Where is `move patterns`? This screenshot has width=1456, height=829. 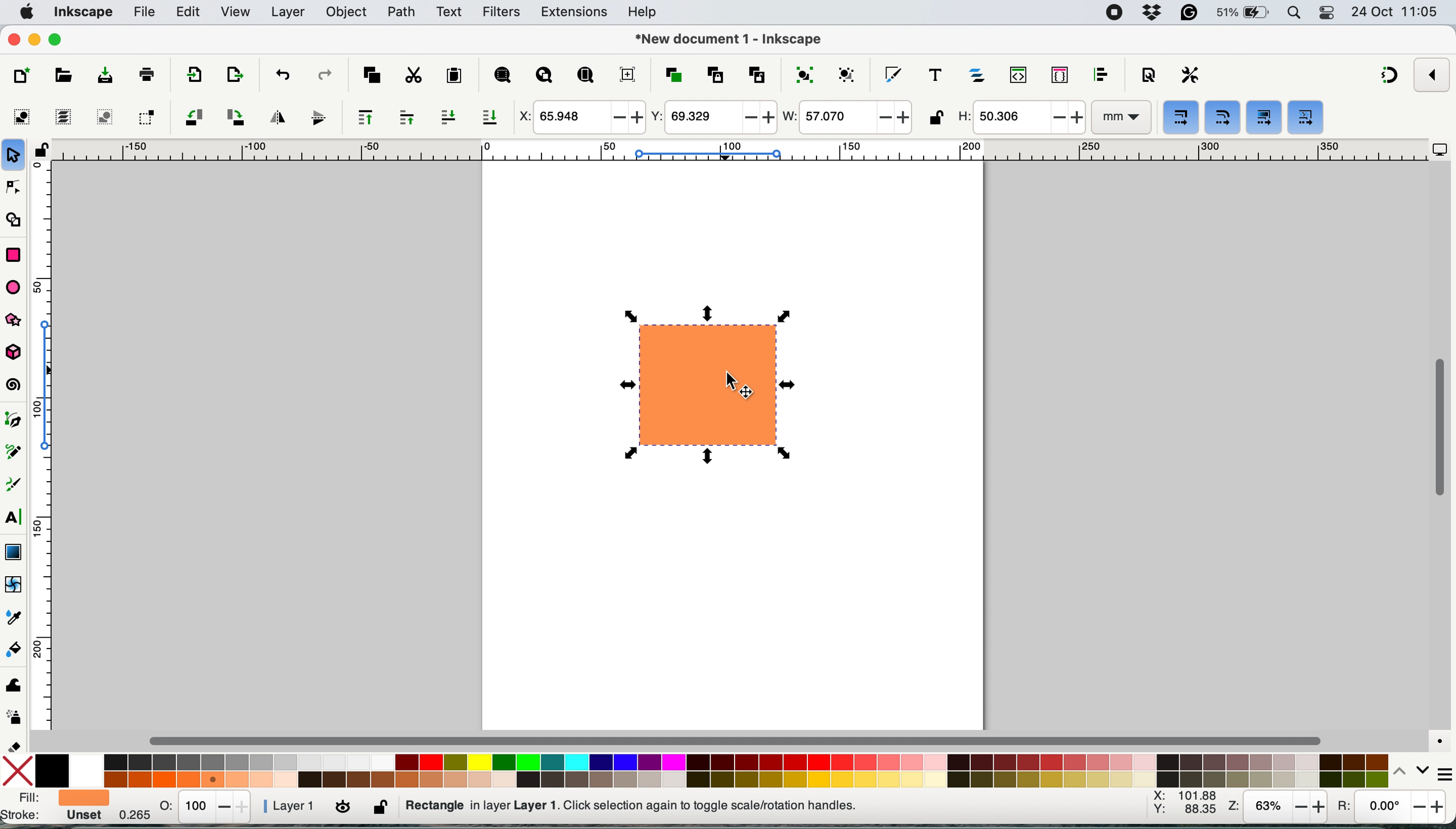
move patterns is located at coordinates (1305, 118).